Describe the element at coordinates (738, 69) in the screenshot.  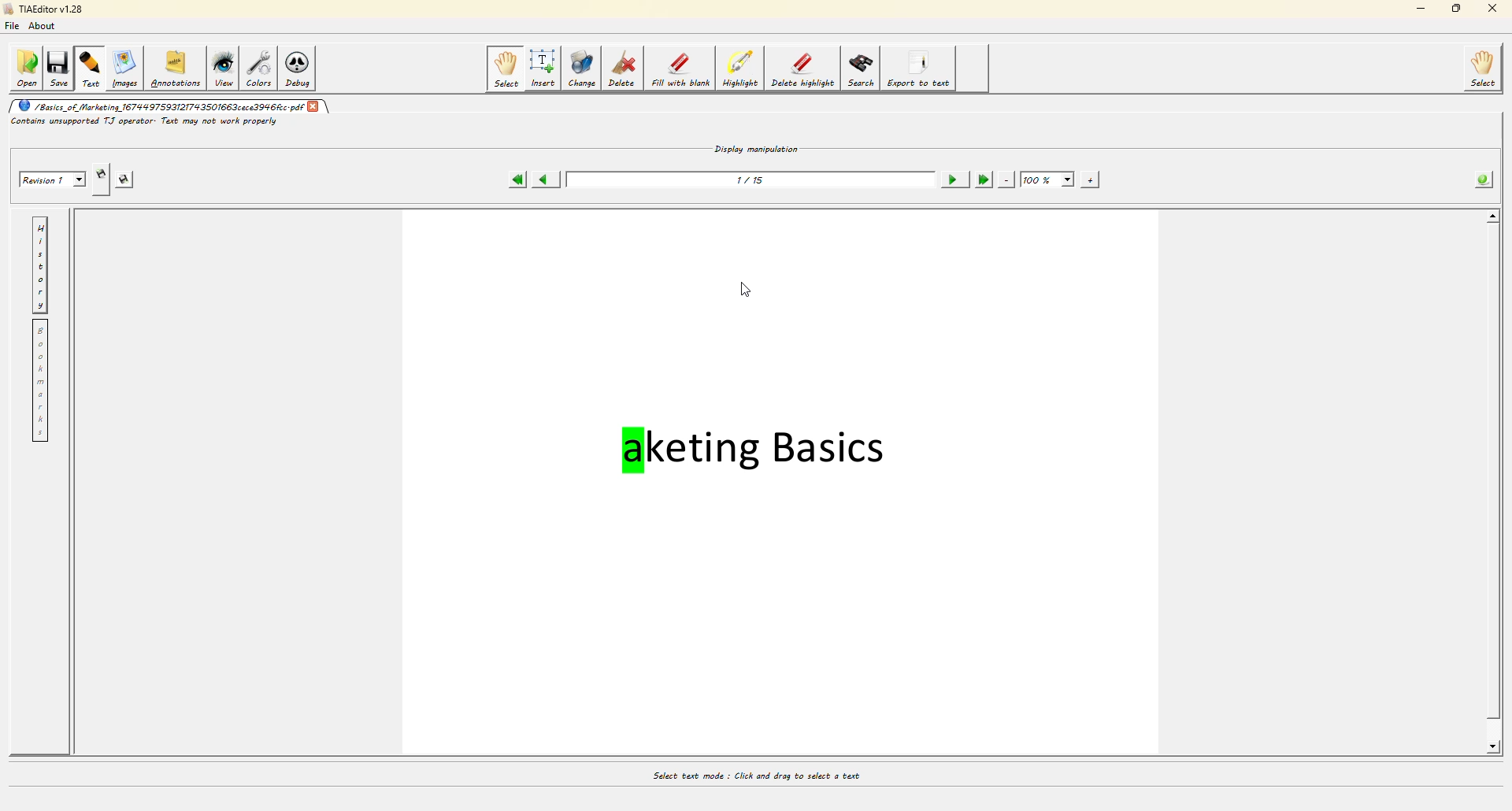
I see `highight` at that location.